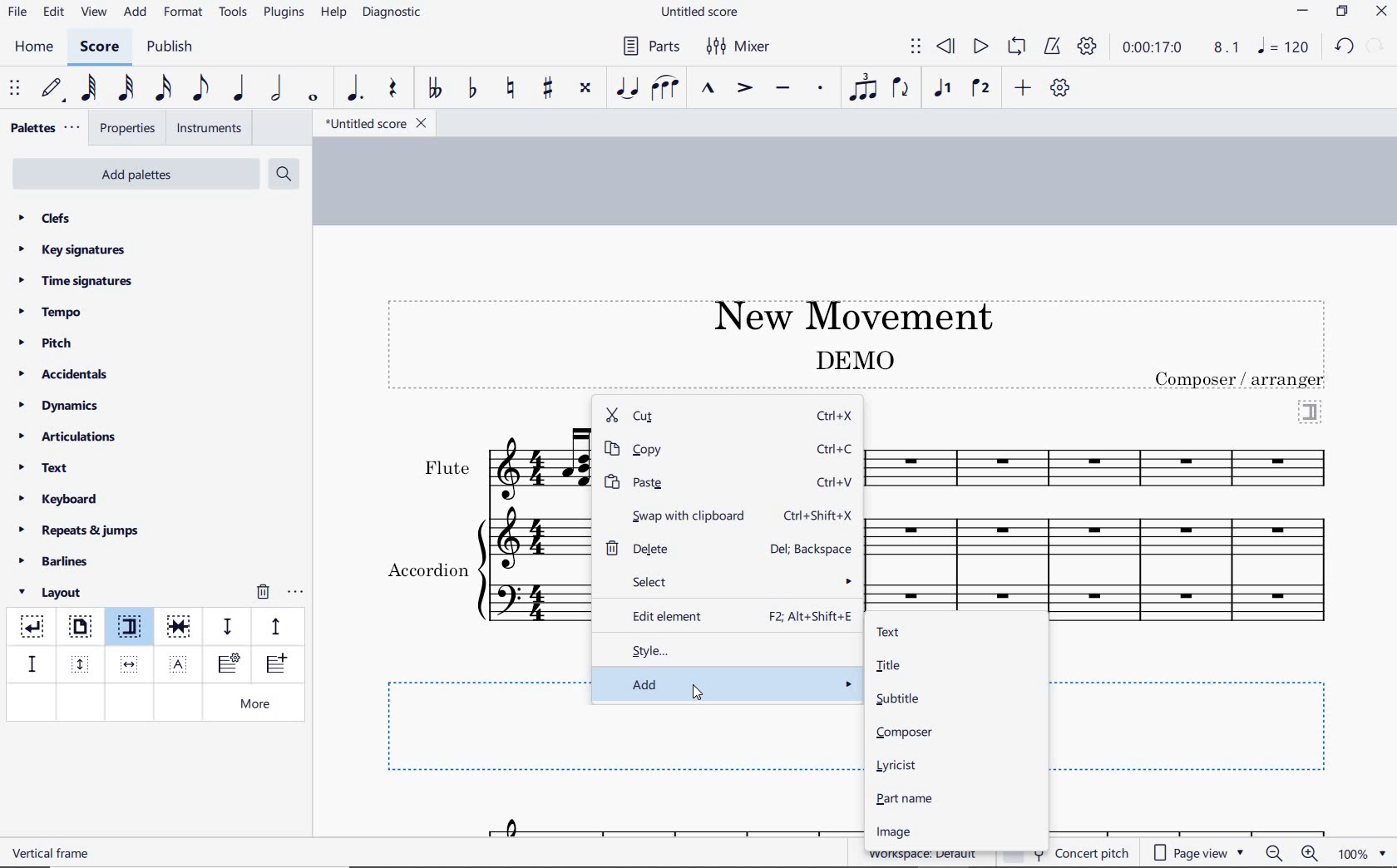 The image size is (1397, 868). I want to click on text, so click(887, 633).